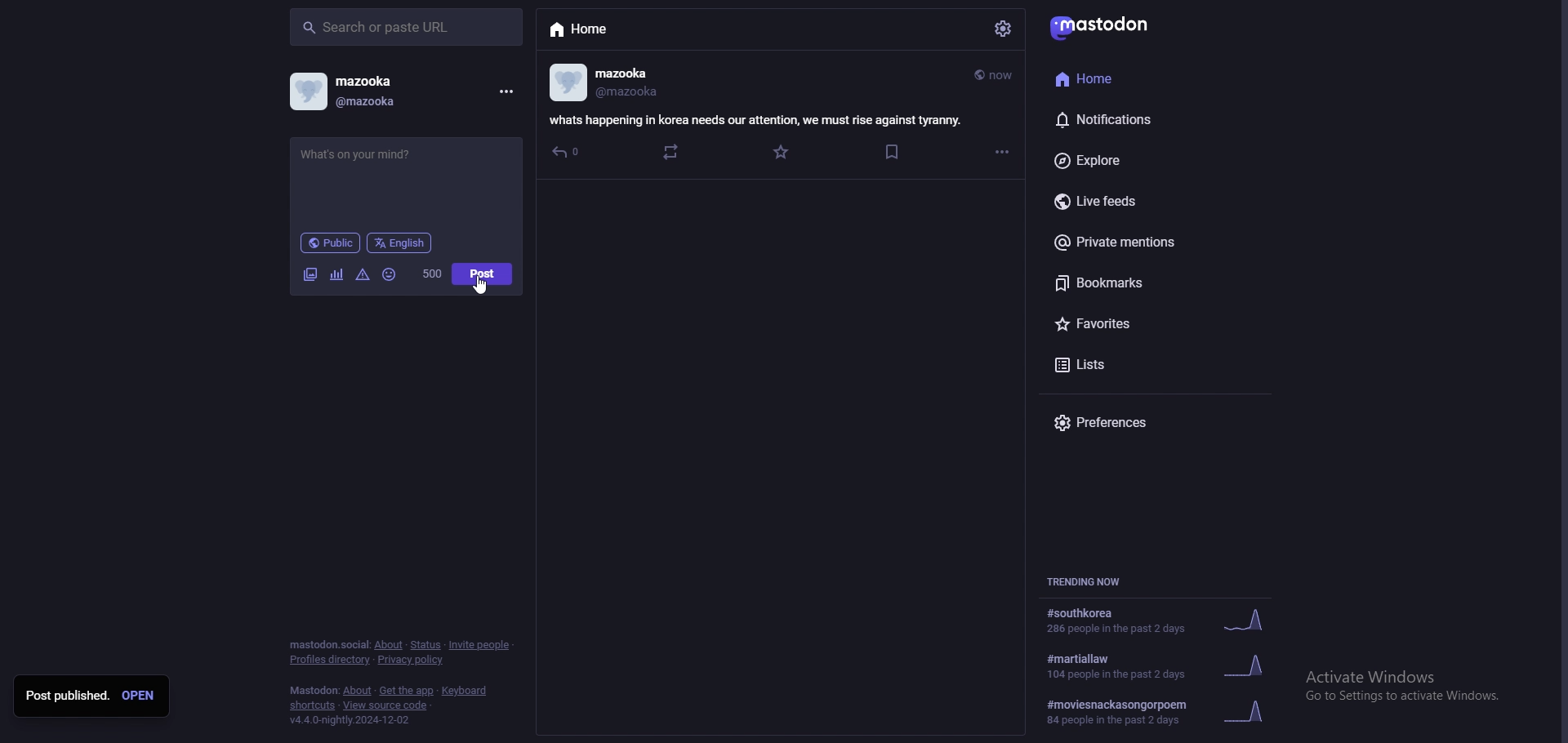 The width and height of the screenshot is (1568, 743). Describe the element at coordinates (1159, 620) in the screenshot. I see `trending` at that location.